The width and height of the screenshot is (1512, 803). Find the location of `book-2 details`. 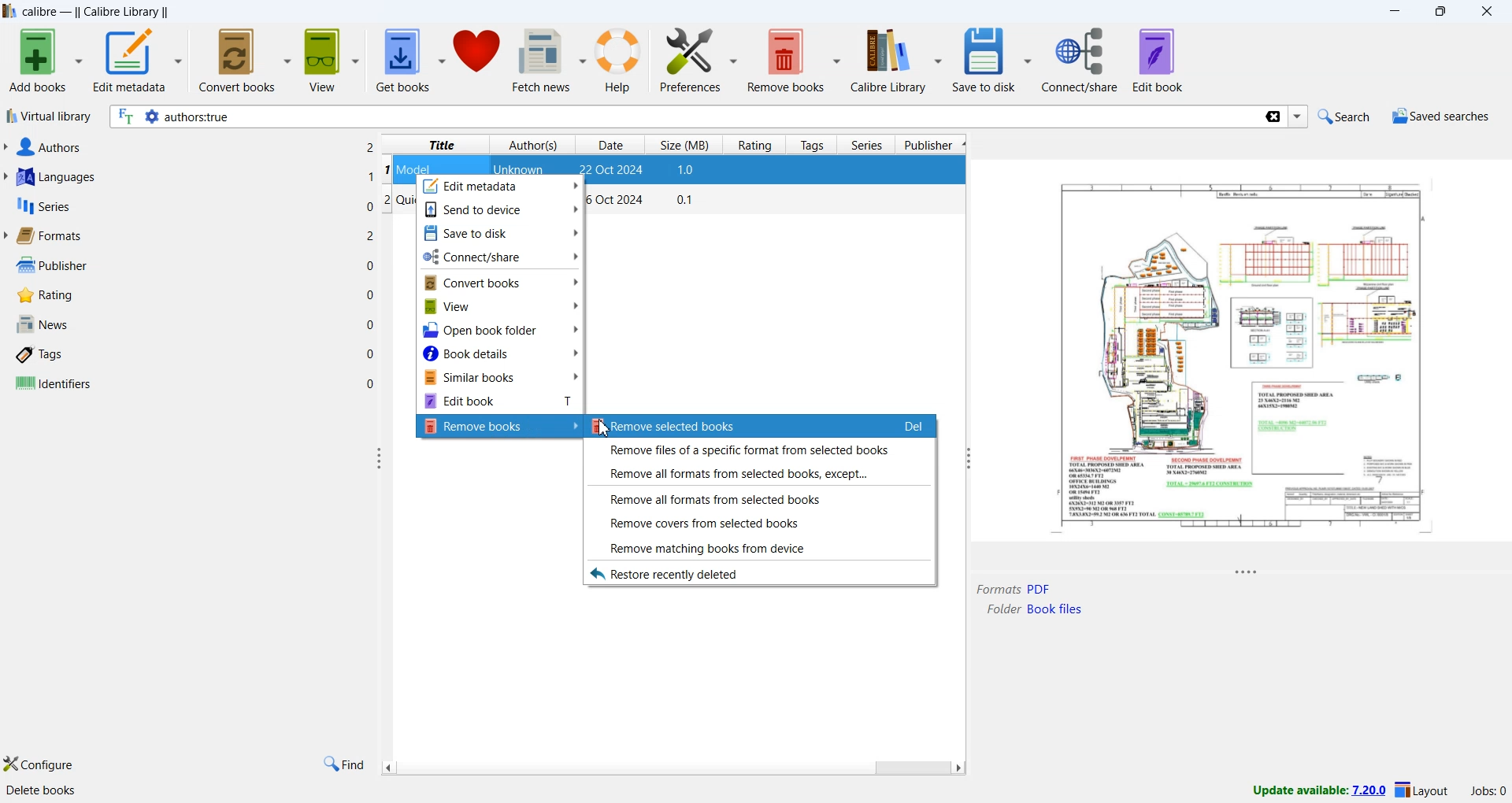

book-2 details is located at coordinates (646, 202).